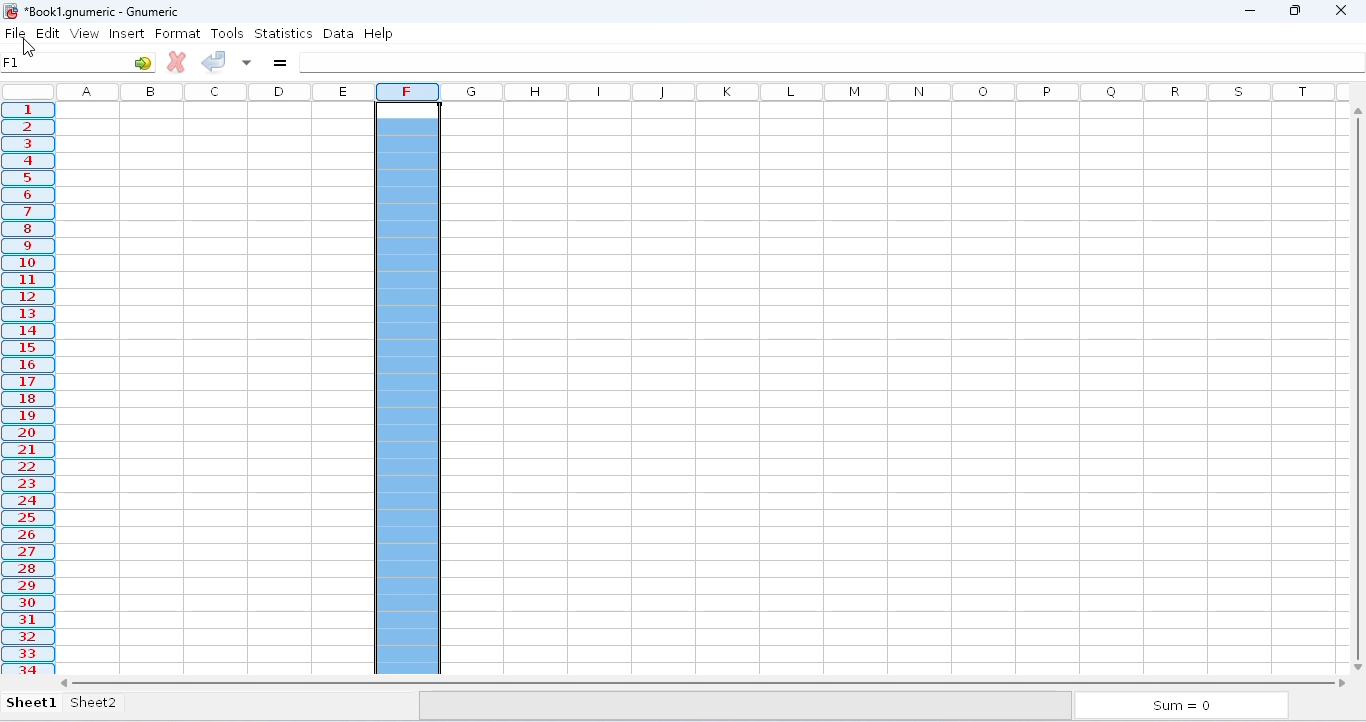 The width and height of the screenshot is (1366, 722). Describe the element at coordinates (893, 92) in the screenshot. I see `columns` at that location.